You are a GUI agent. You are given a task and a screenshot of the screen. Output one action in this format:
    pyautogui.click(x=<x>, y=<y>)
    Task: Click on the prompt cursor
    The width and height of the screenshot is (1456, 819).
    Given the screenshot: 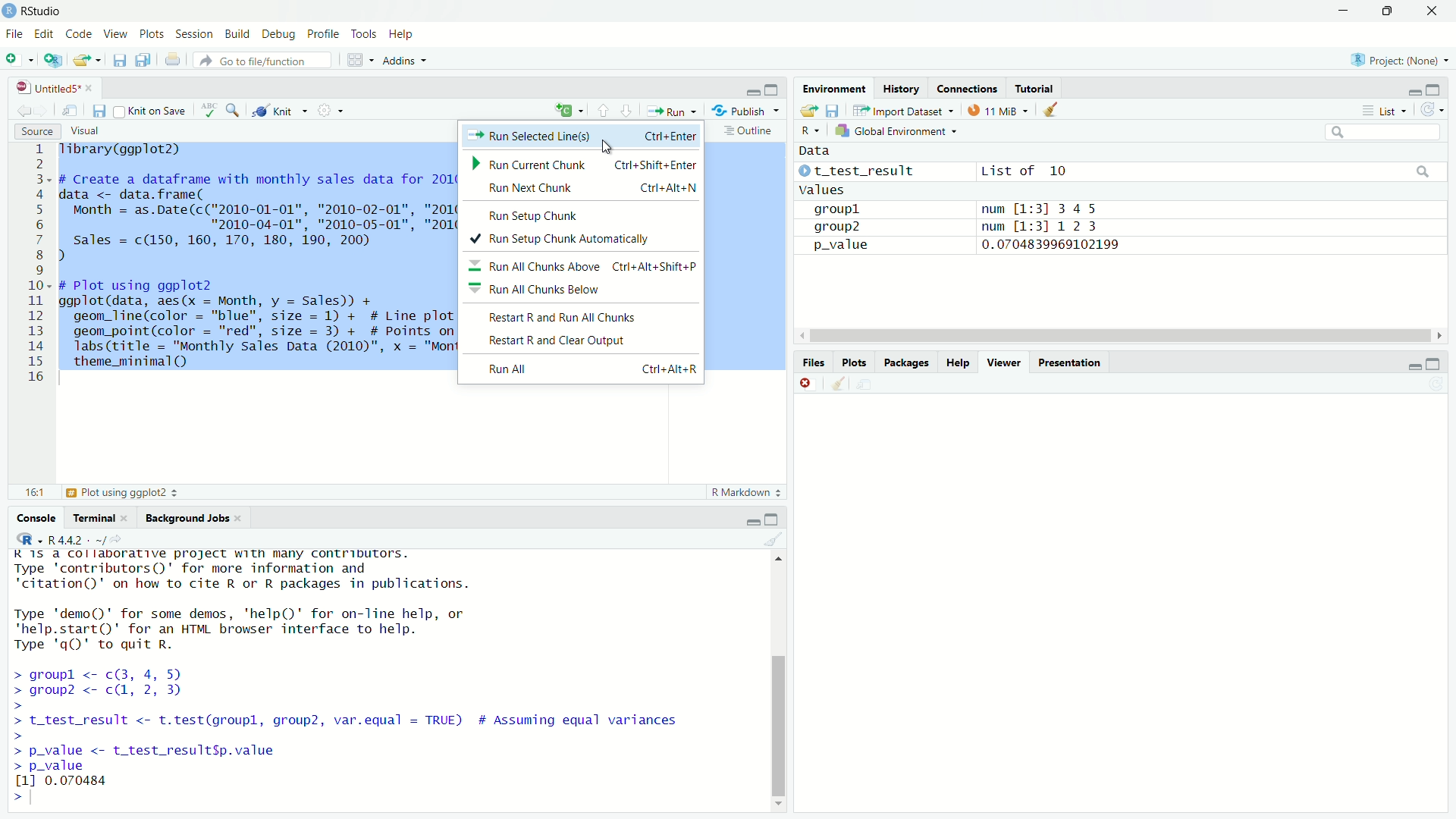 What is the action you would take?
    pyautogui.click(x=26, y=797)
    